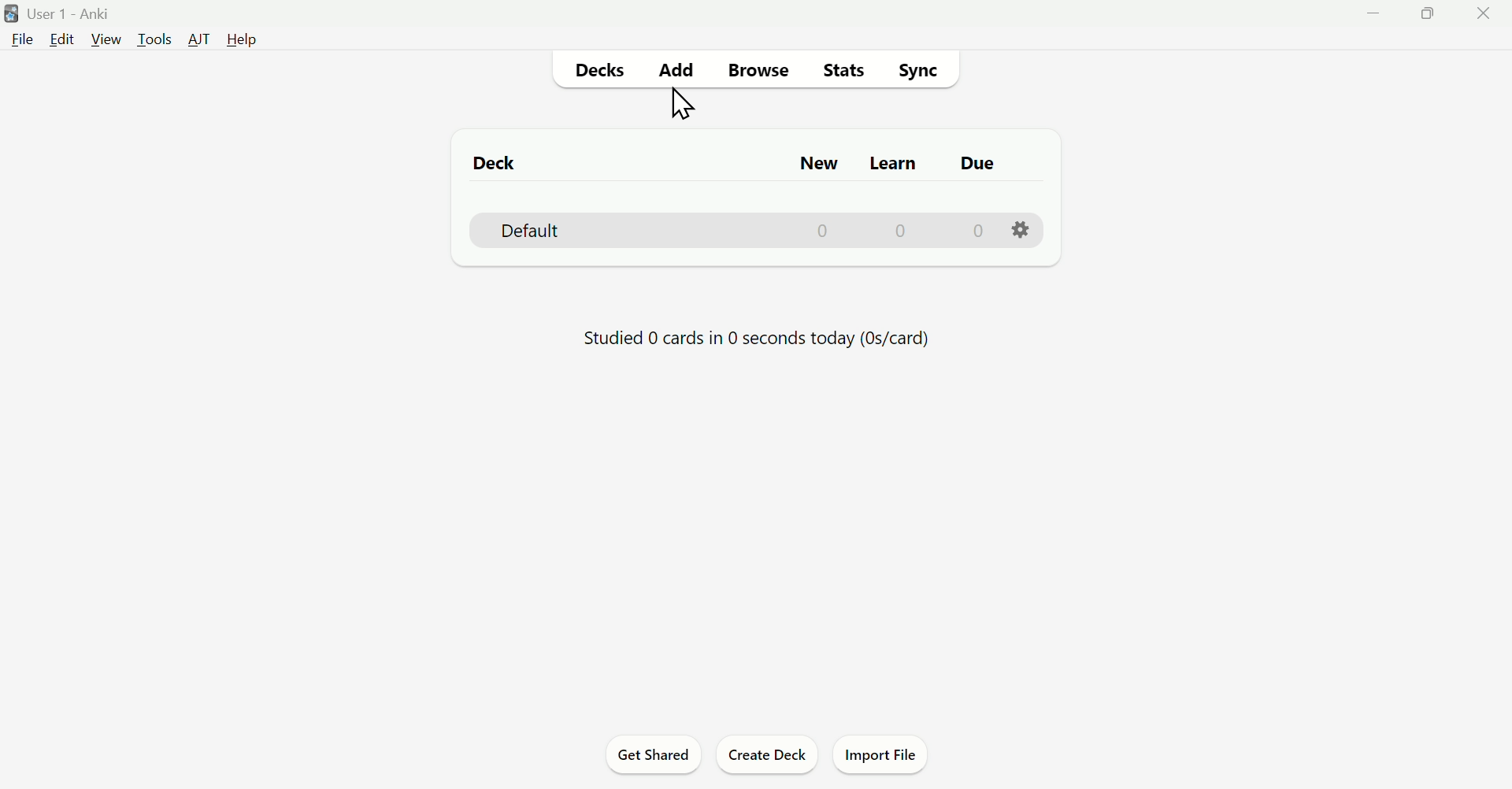 The height and width of the screenshot is (789, 1512). Describe the element at coordinates (734, 229) in the screenshot. I see `Default` at that location.